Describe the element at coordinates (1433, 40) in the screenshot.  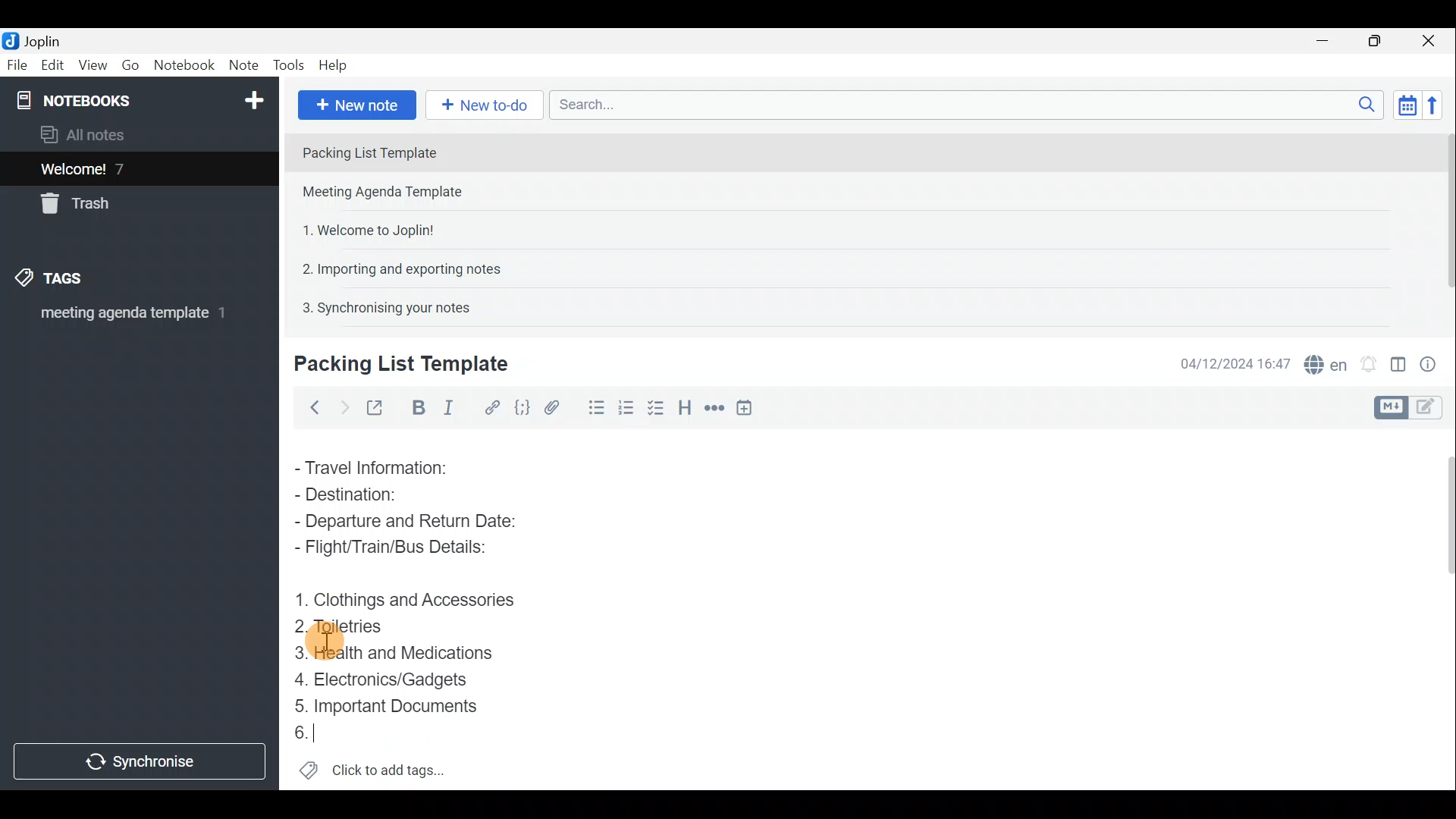
I see `Close` at that location.